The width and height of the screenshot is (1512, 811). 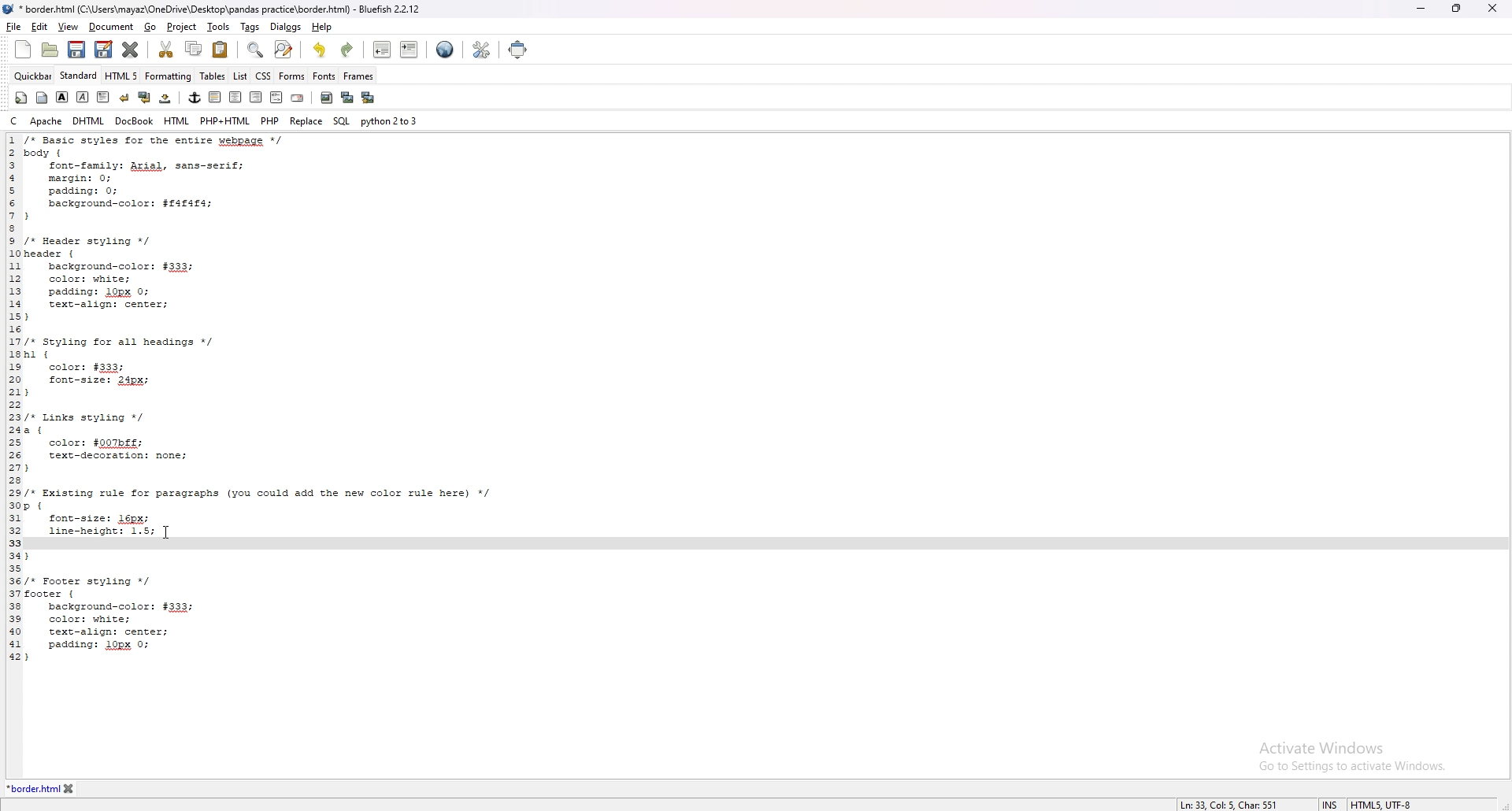 I want to click on body, so click(x=43, y=98).